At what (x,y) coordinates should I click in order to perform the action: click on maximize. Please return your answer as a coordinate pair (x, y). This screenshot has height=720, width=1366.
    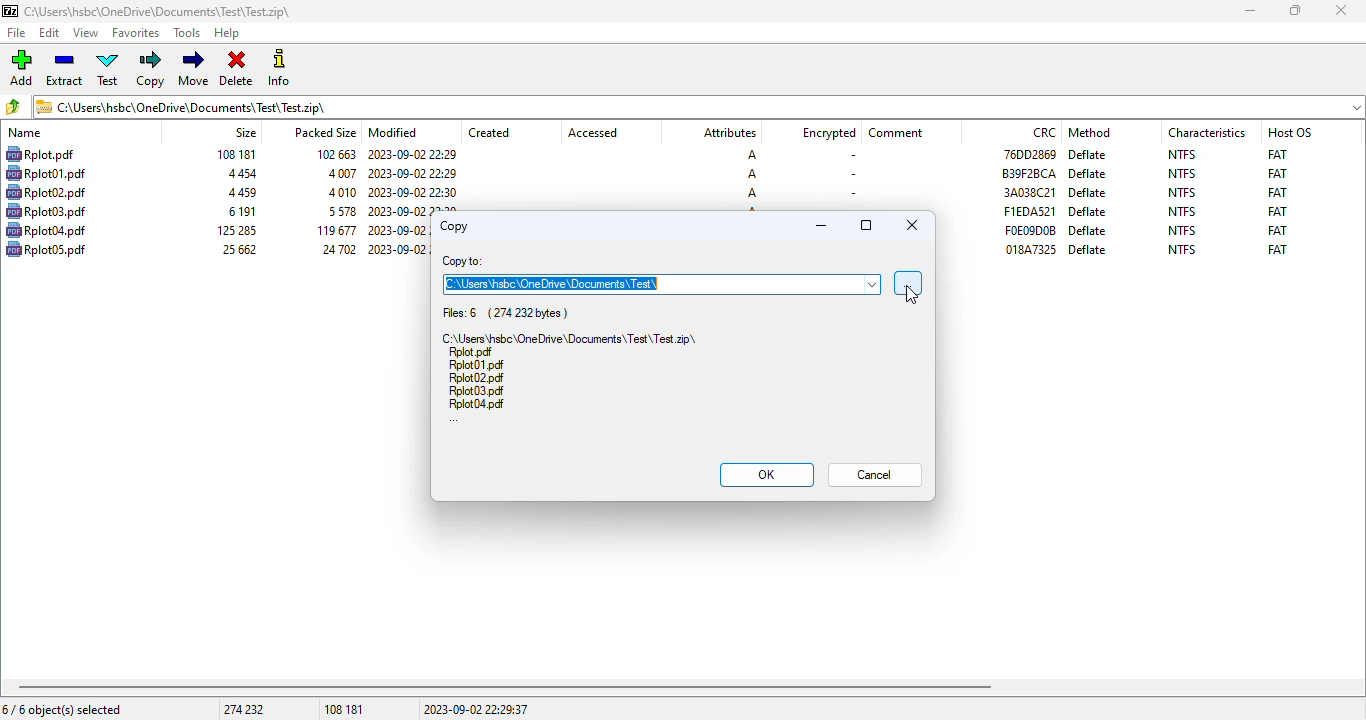
    Looking at the image, I should click on (867, 225).